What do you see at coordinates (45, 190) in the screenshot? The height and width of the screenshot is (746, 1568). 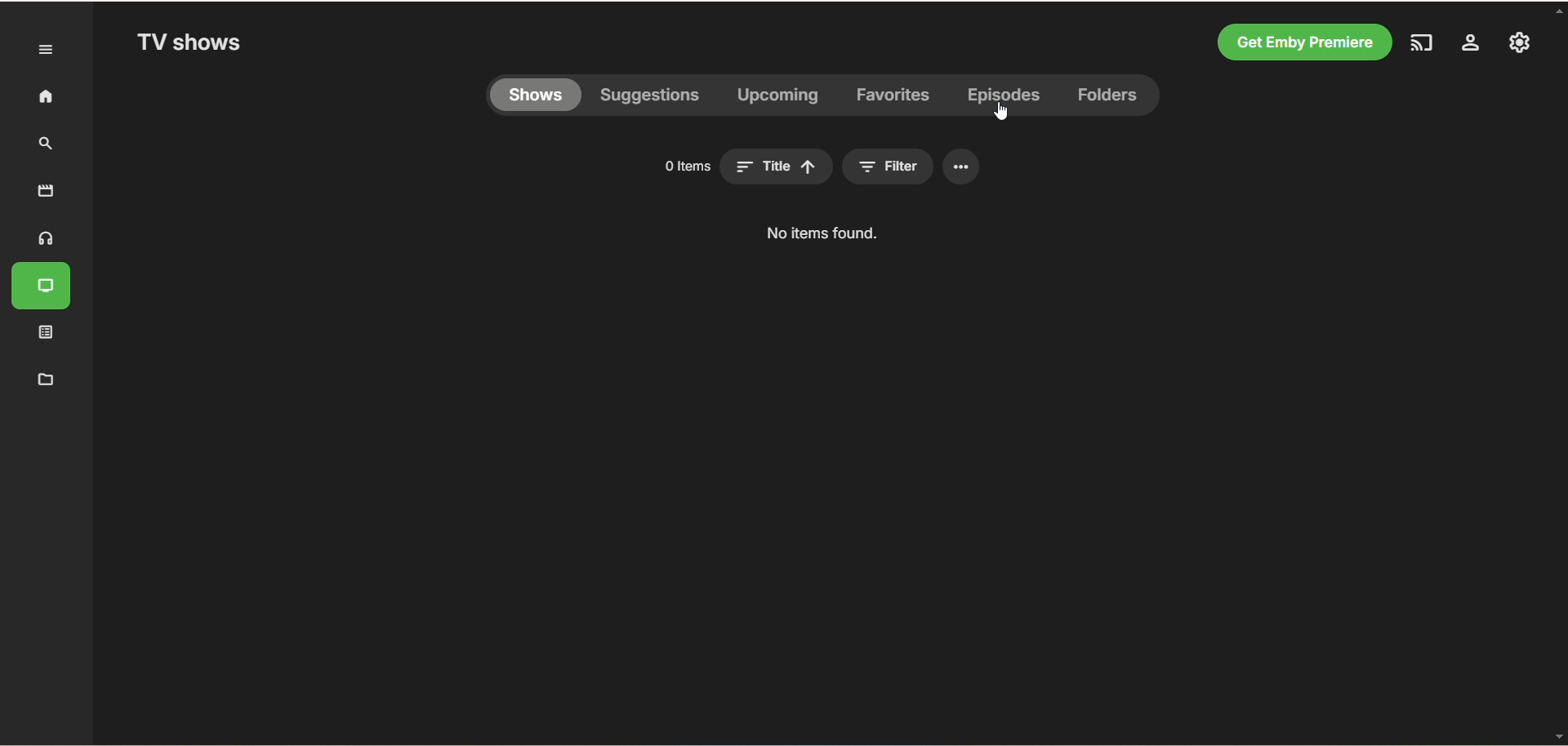 I see `movies` at bounding box center [45, 190].